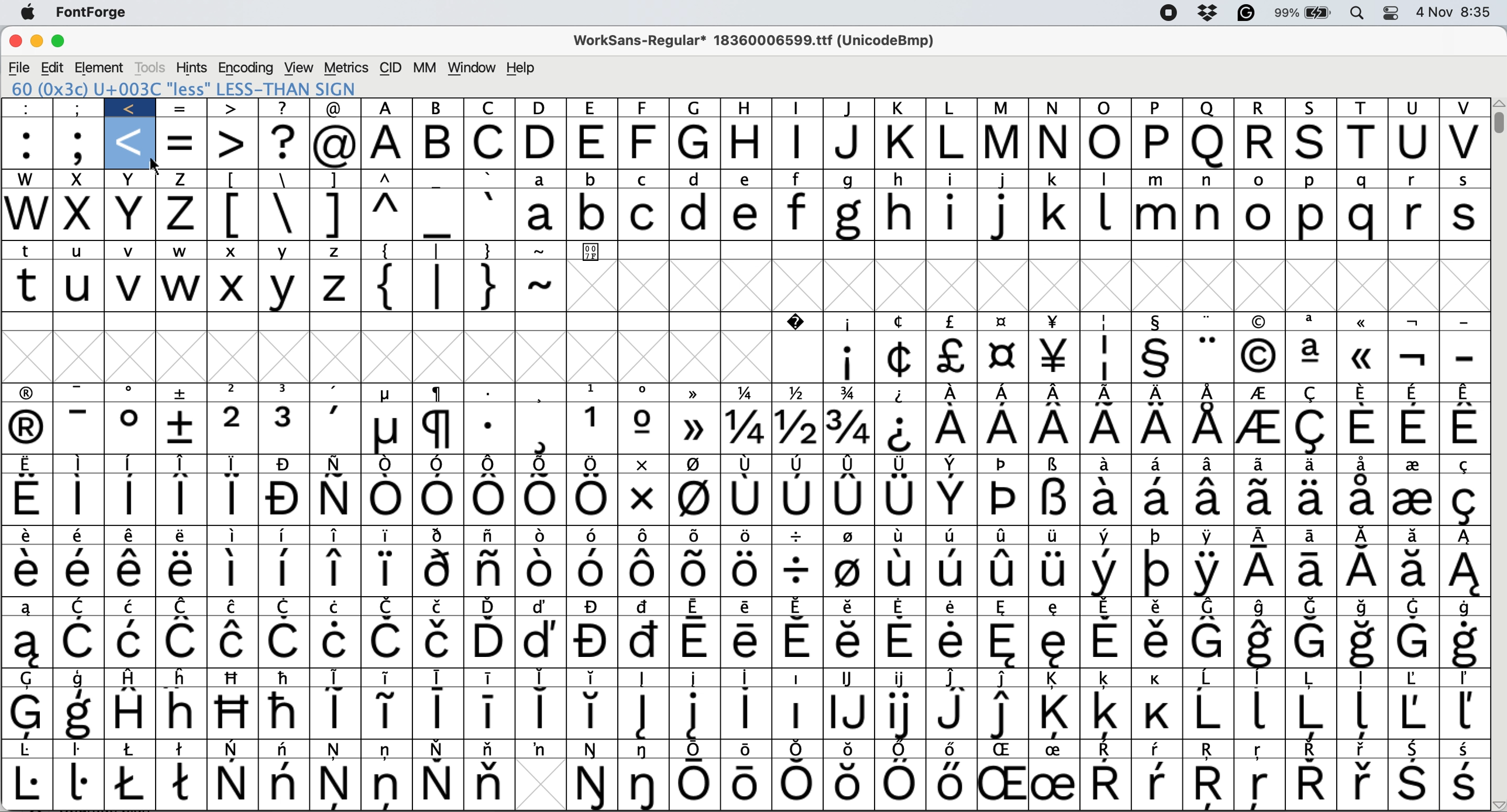 The width and height of the screenshot is (1507, 812). Describe the element at coordinates (951, 608) in the screenshot. I see `Symbol` at that location.